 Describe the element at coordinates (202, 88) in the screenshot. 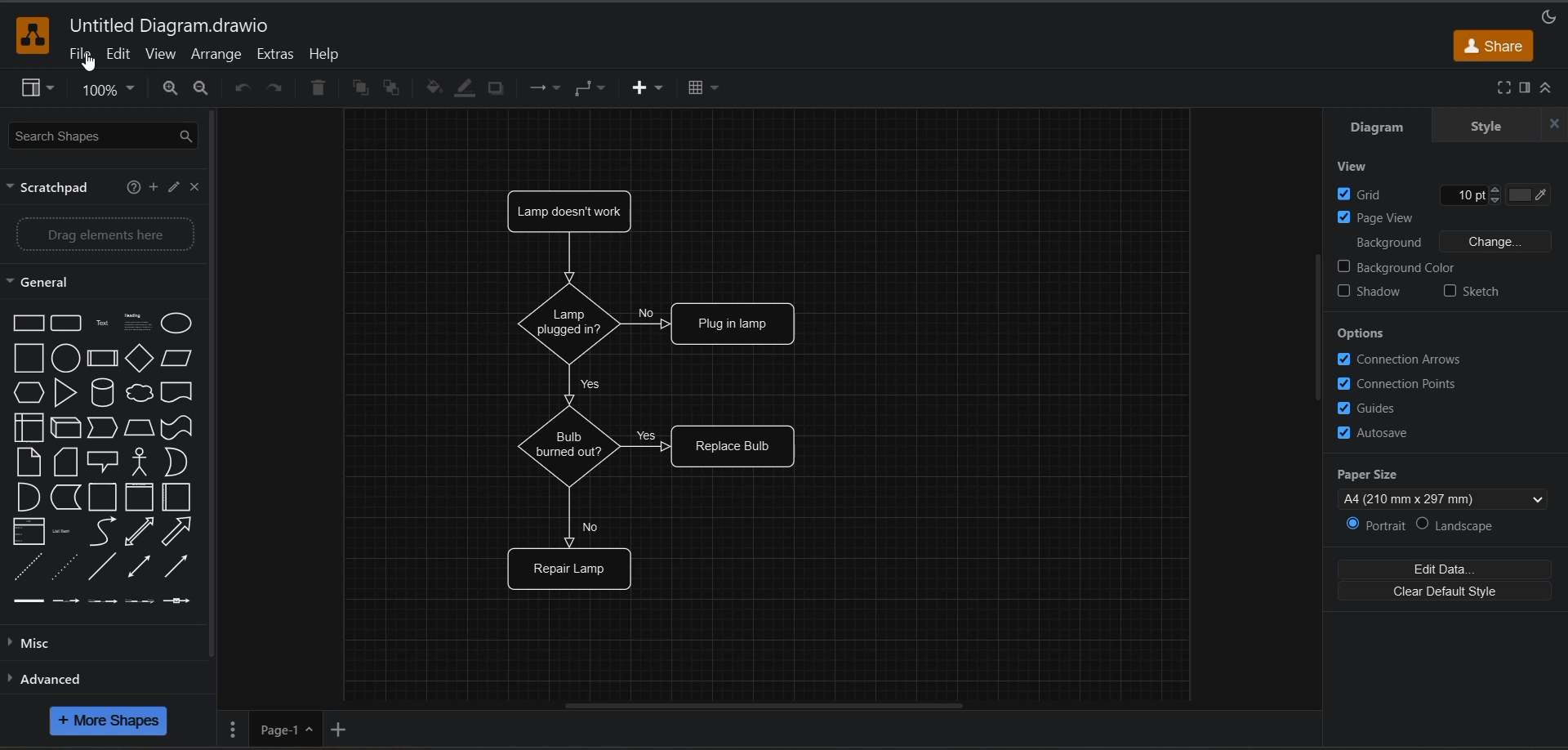

I see `zoom out` at that location.